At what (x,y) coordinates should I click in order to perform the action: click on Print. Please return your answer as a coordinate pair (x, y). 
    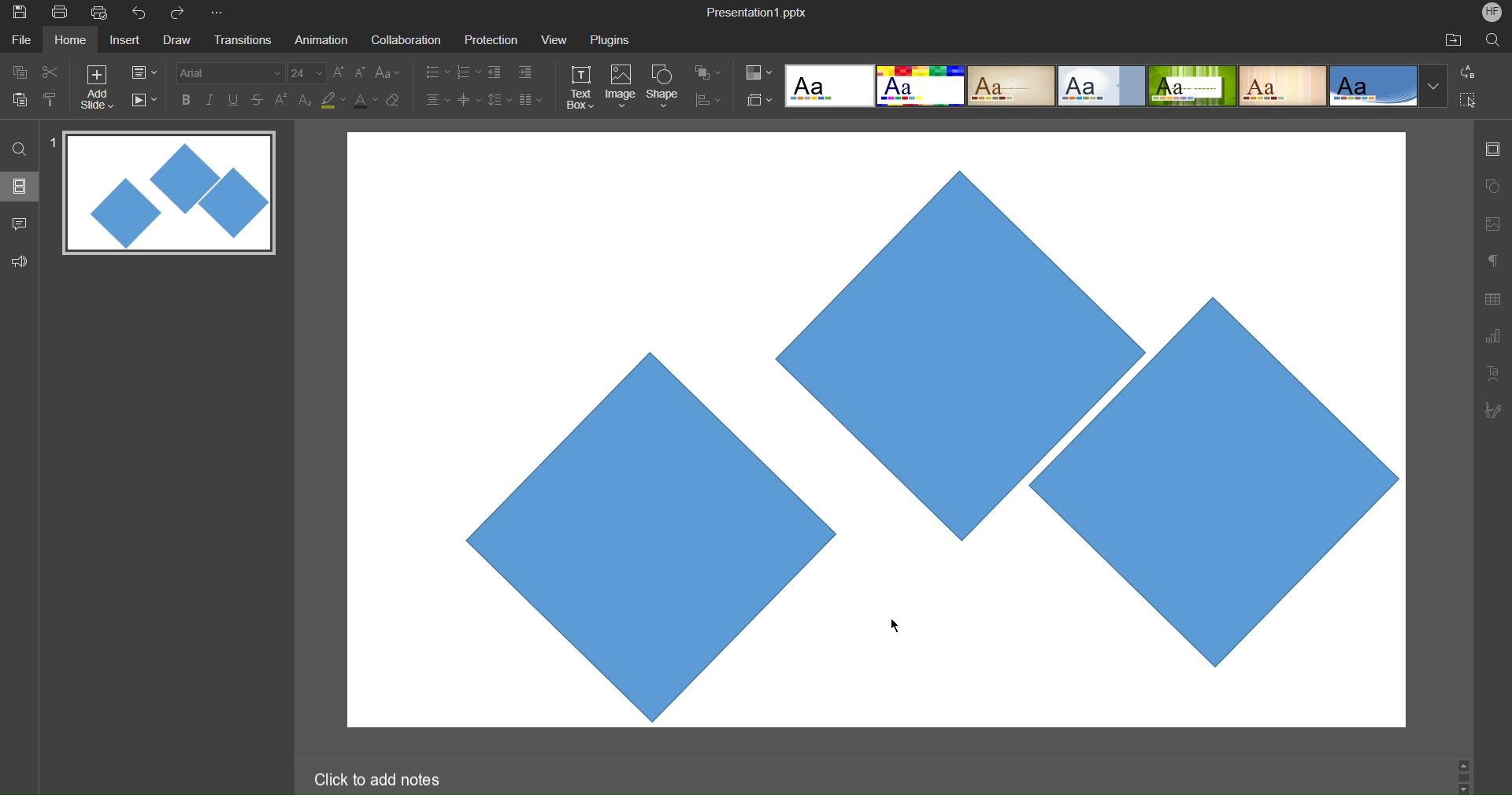
    Looking at the image, I should click on (59, 13).